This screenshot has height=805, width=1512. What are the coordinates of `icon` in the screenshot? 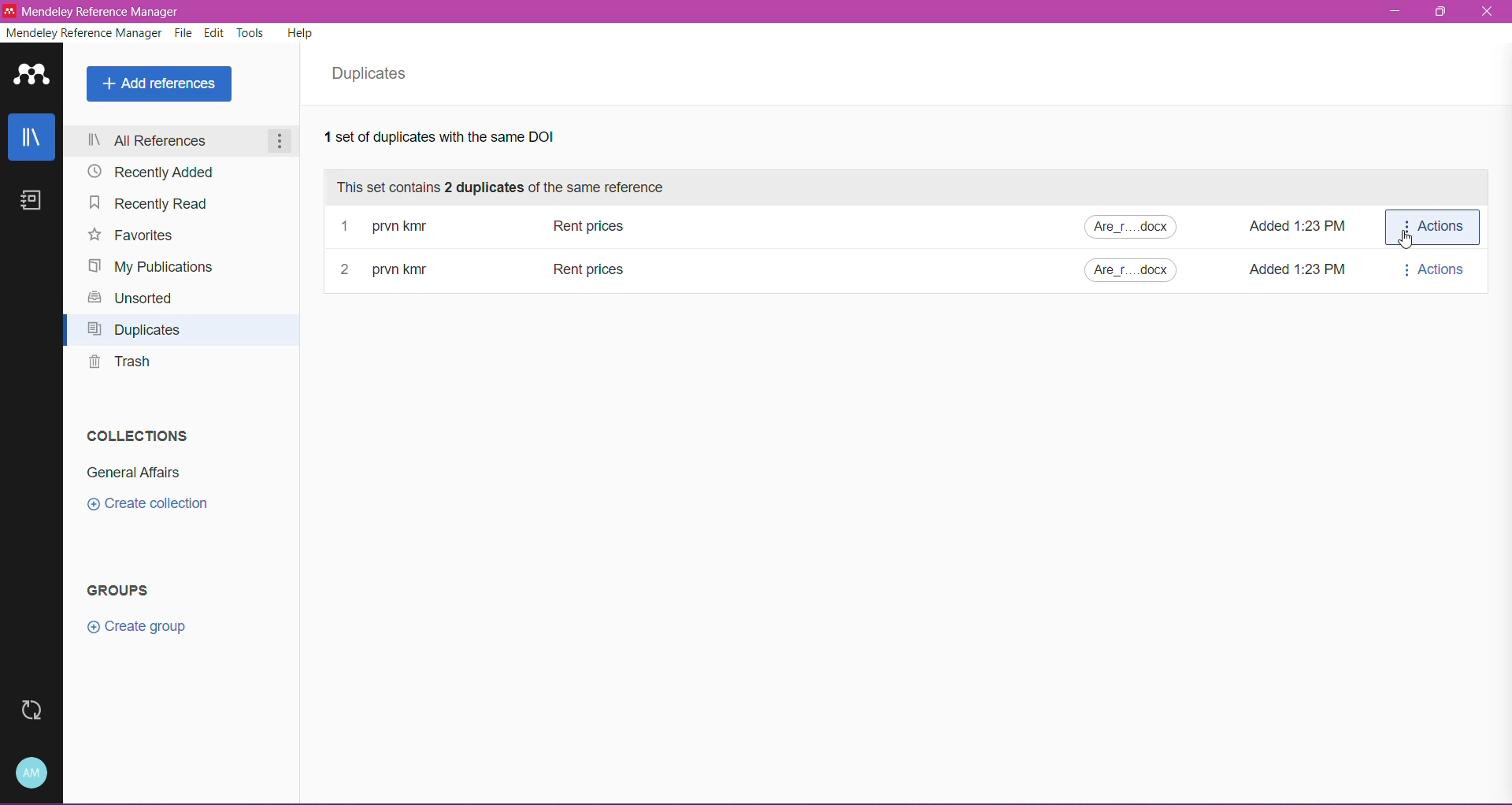 It's located at (9, 10).